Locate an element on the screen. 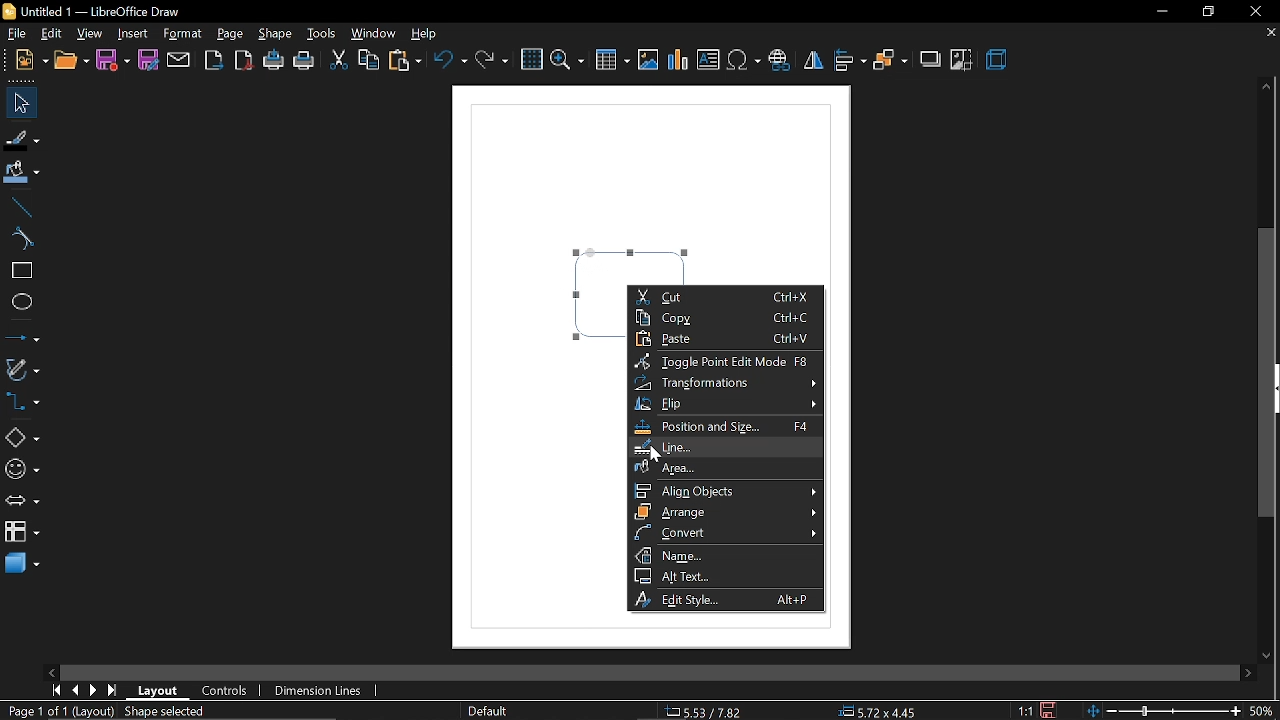 This screenshot has width=1280, height=720. help is located at coordinates (429, 34).